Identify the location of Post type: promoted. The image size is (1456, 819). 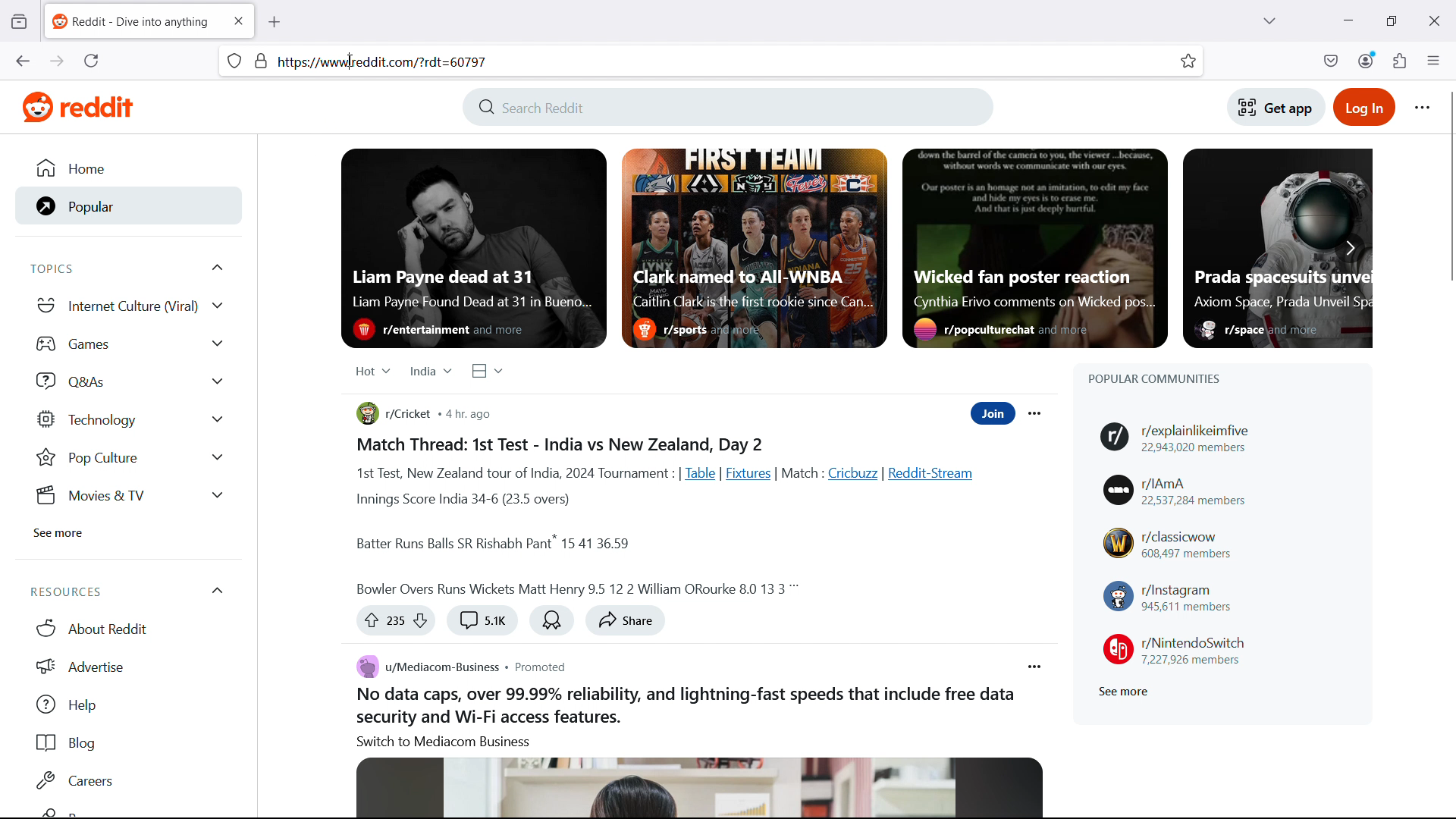
(540, 666).